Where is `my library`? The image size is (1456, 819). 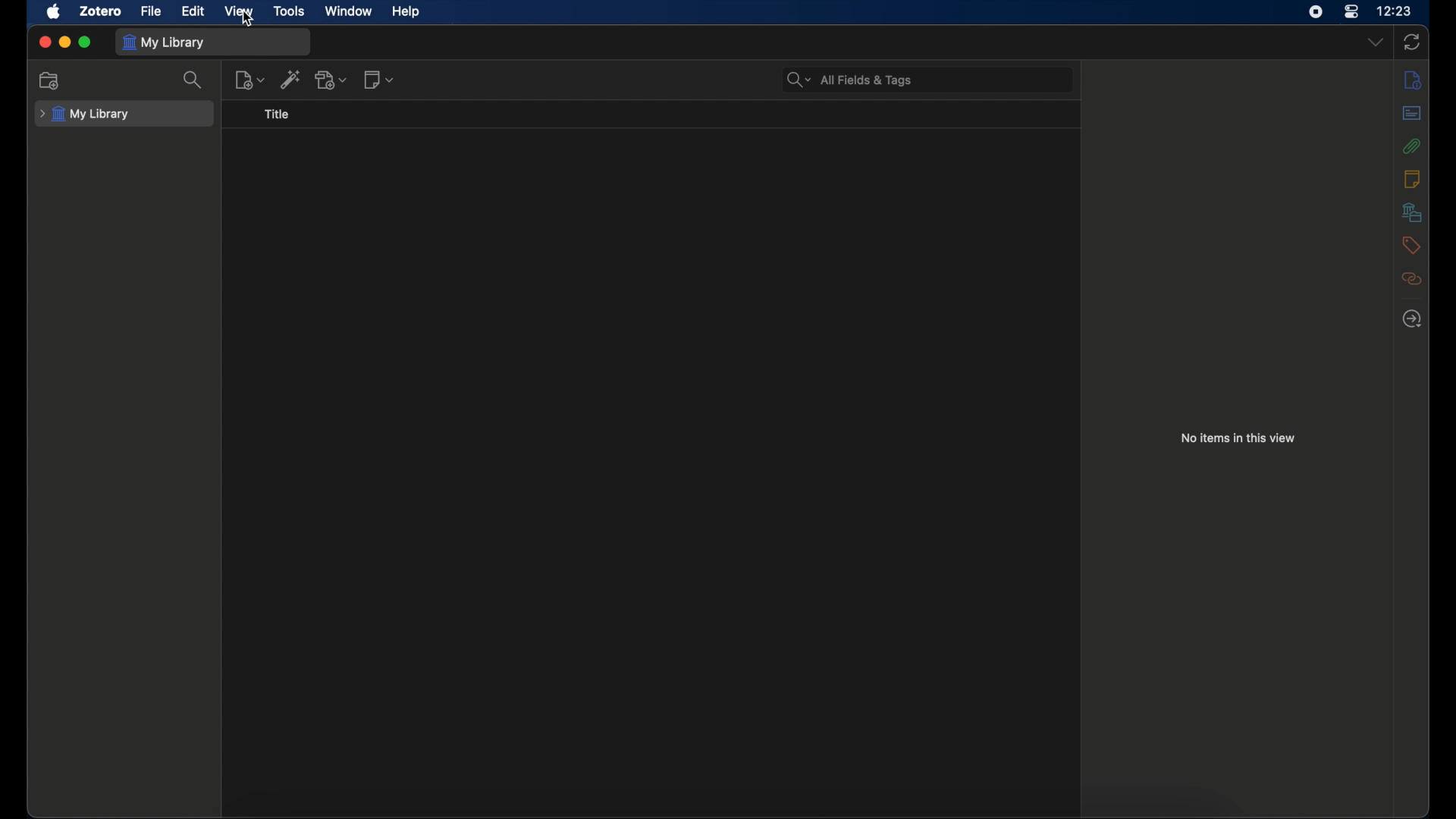
my library is located at coordinates (85, 115).